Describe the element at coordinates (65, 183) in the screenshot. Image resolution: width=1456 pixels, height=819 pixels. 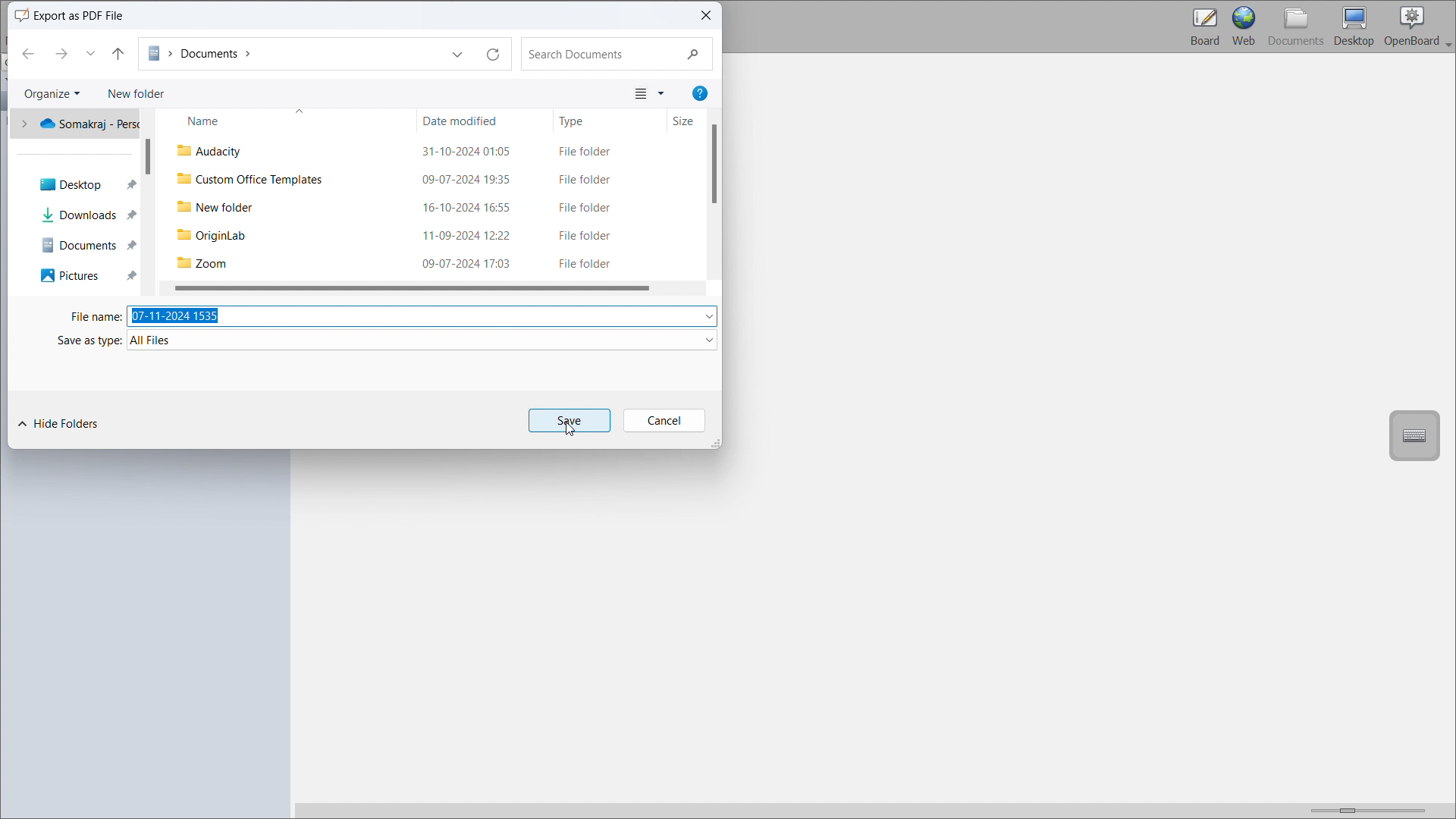
I see `Desktop` at that location.